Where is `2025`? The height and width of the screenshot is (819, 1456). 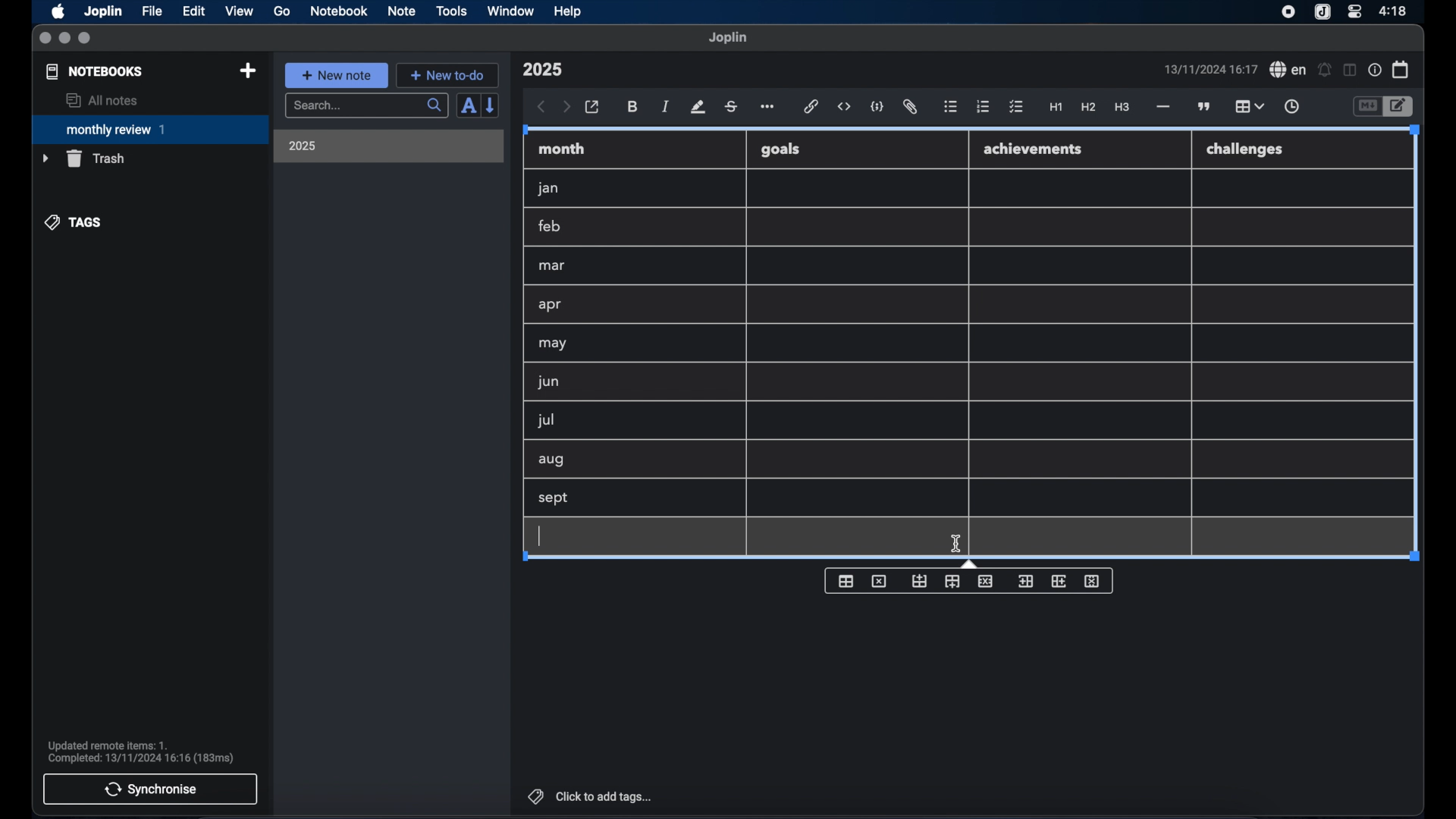
2025 is located at coordinates (303, 146).